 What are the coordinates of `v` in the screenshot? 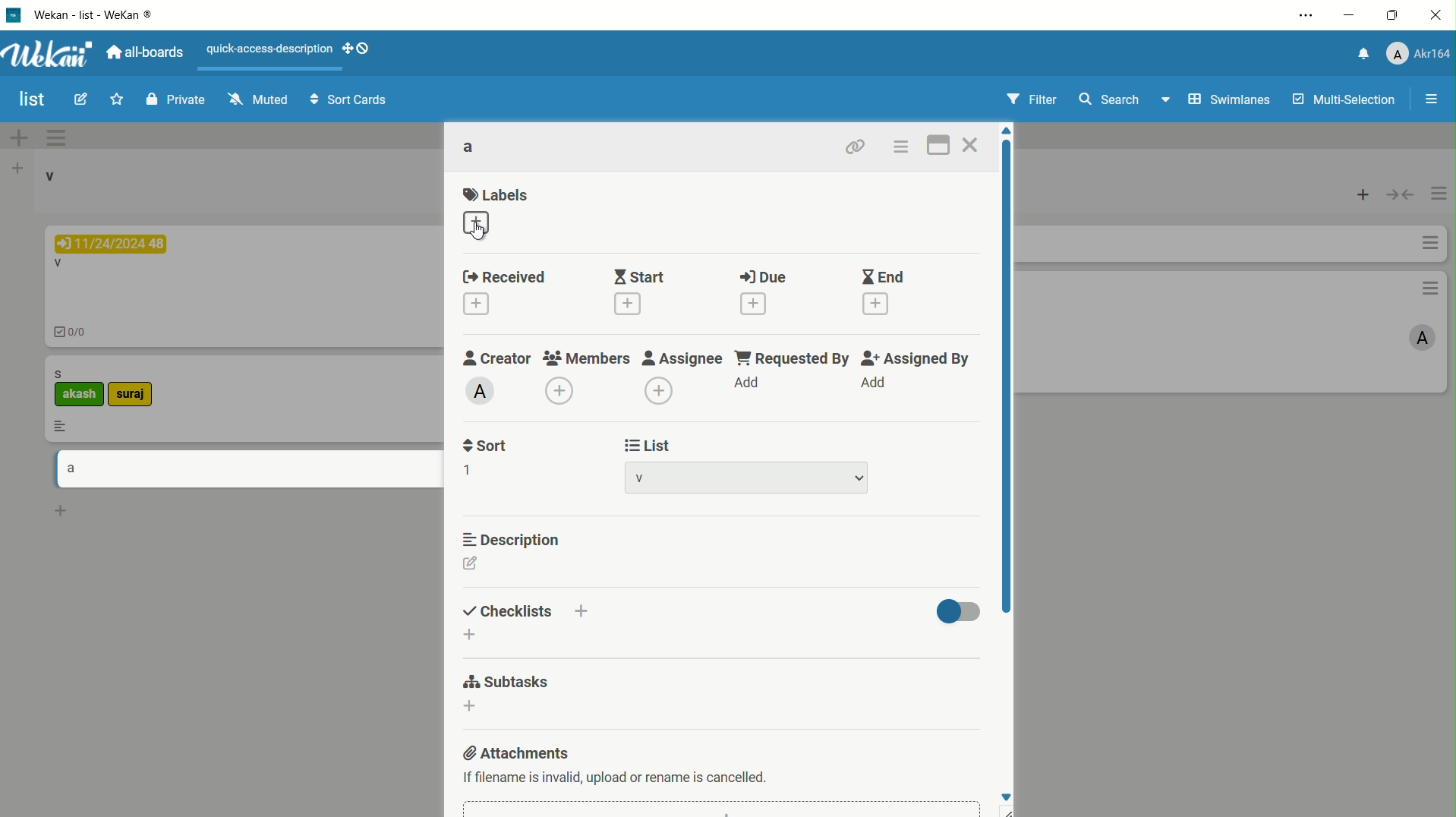 It's located at (56, 180).